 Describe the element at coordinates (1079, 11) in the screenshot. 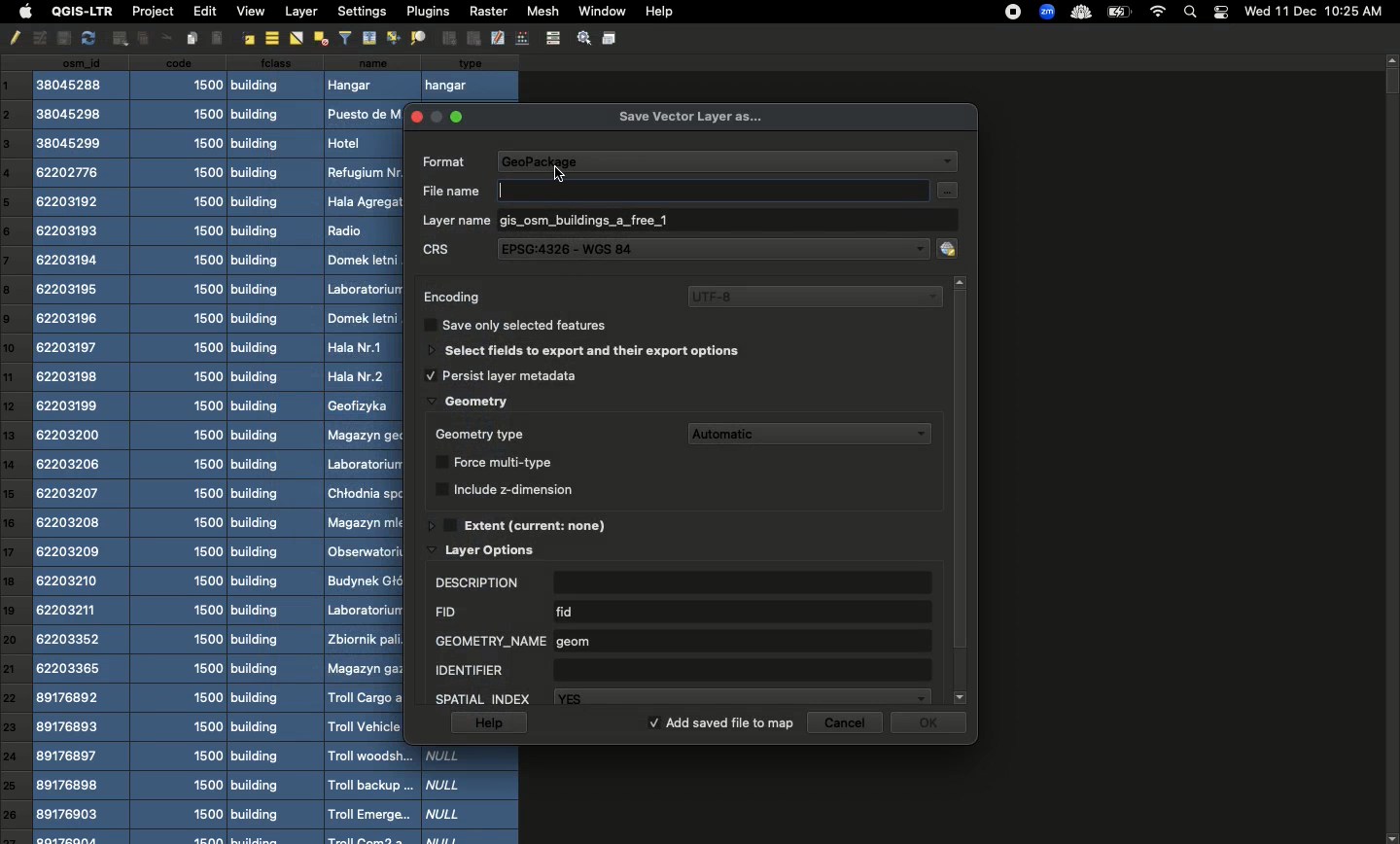

I see `cloud` at that location.